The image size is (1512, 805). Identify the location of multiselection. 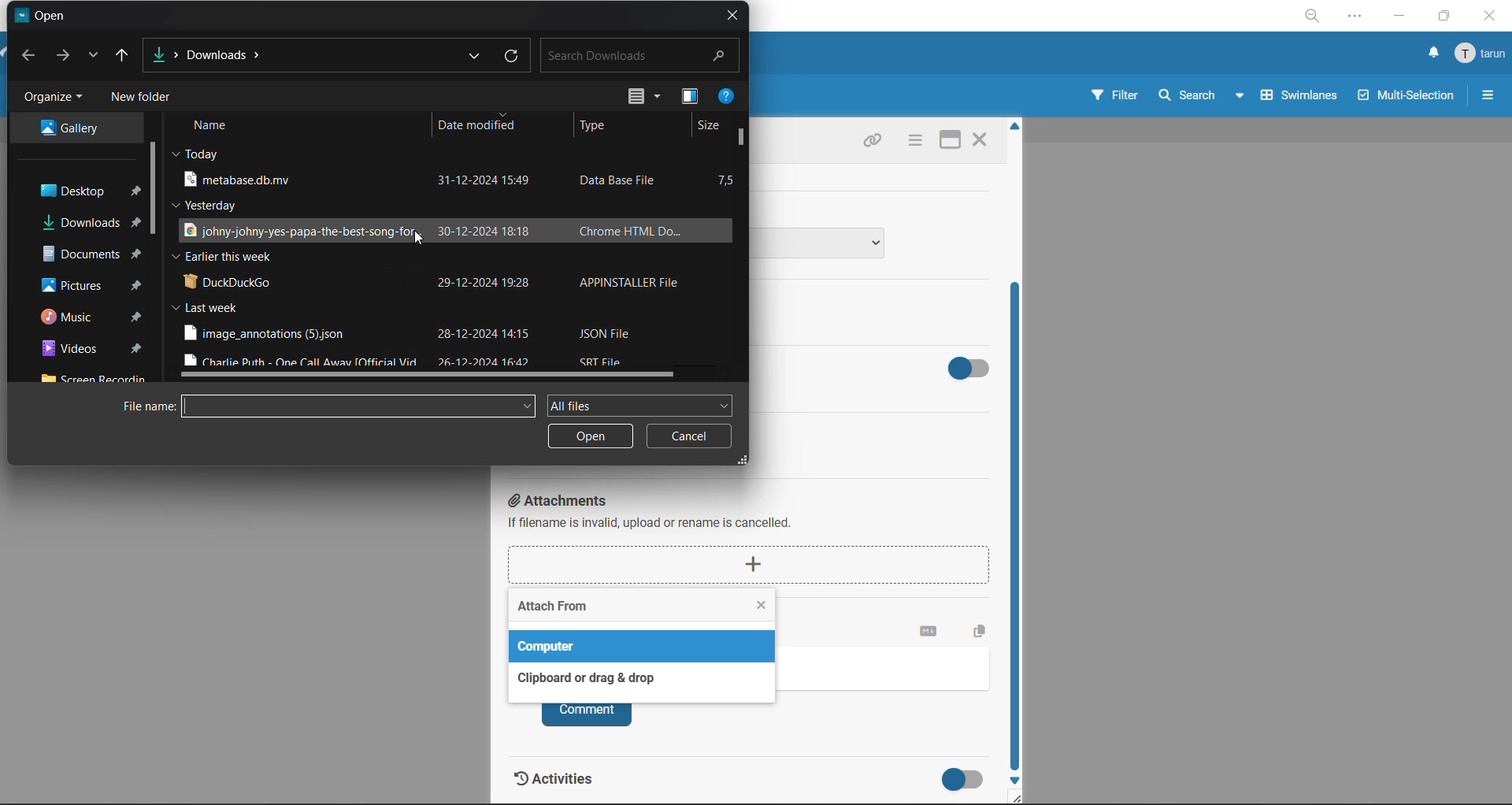
(1407, 98).